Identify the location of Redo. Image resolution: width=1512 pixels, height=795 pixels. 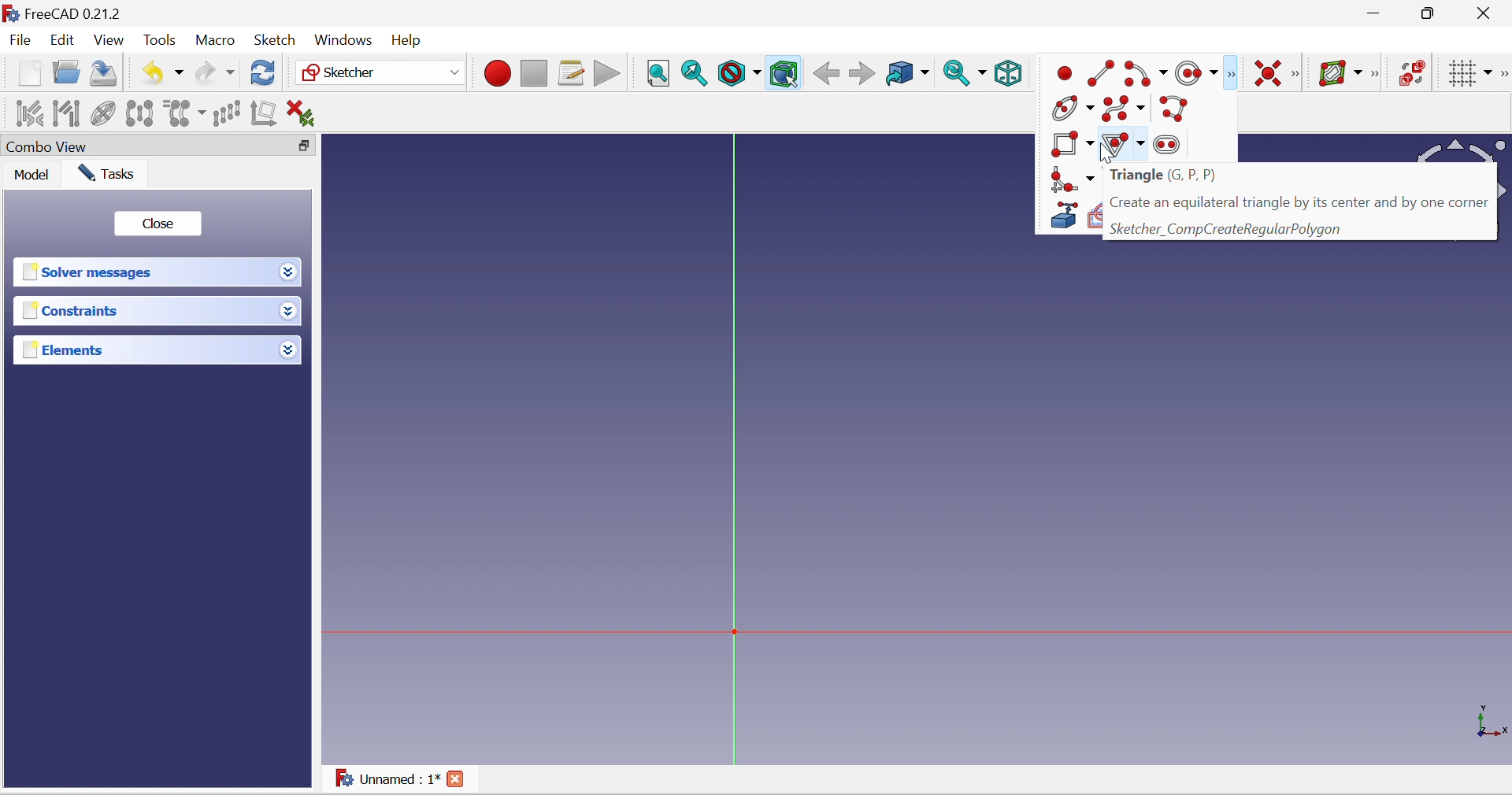
(215, 75).